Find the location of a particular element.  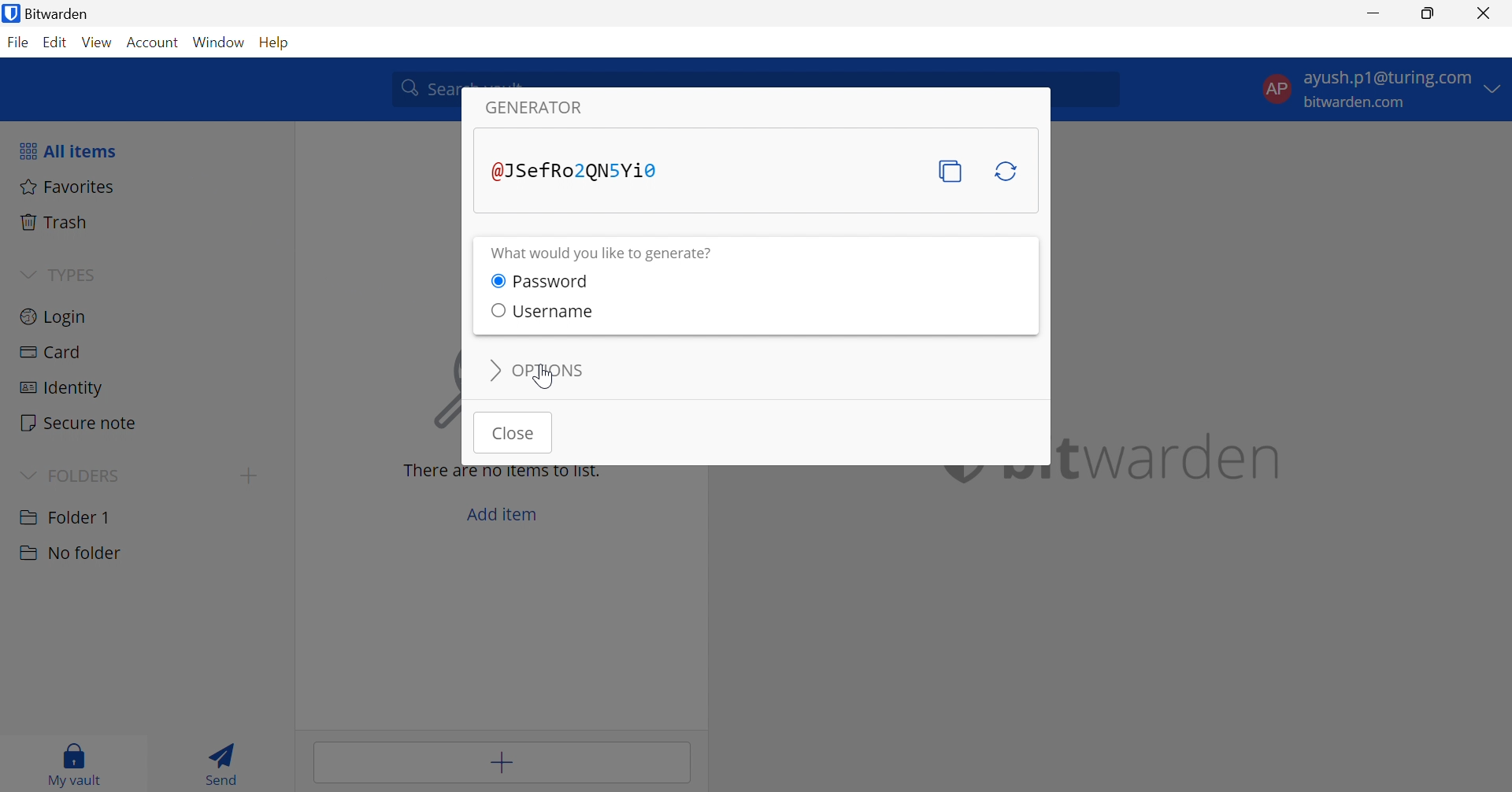

Restore Down is located at coordinates (1429, 13).